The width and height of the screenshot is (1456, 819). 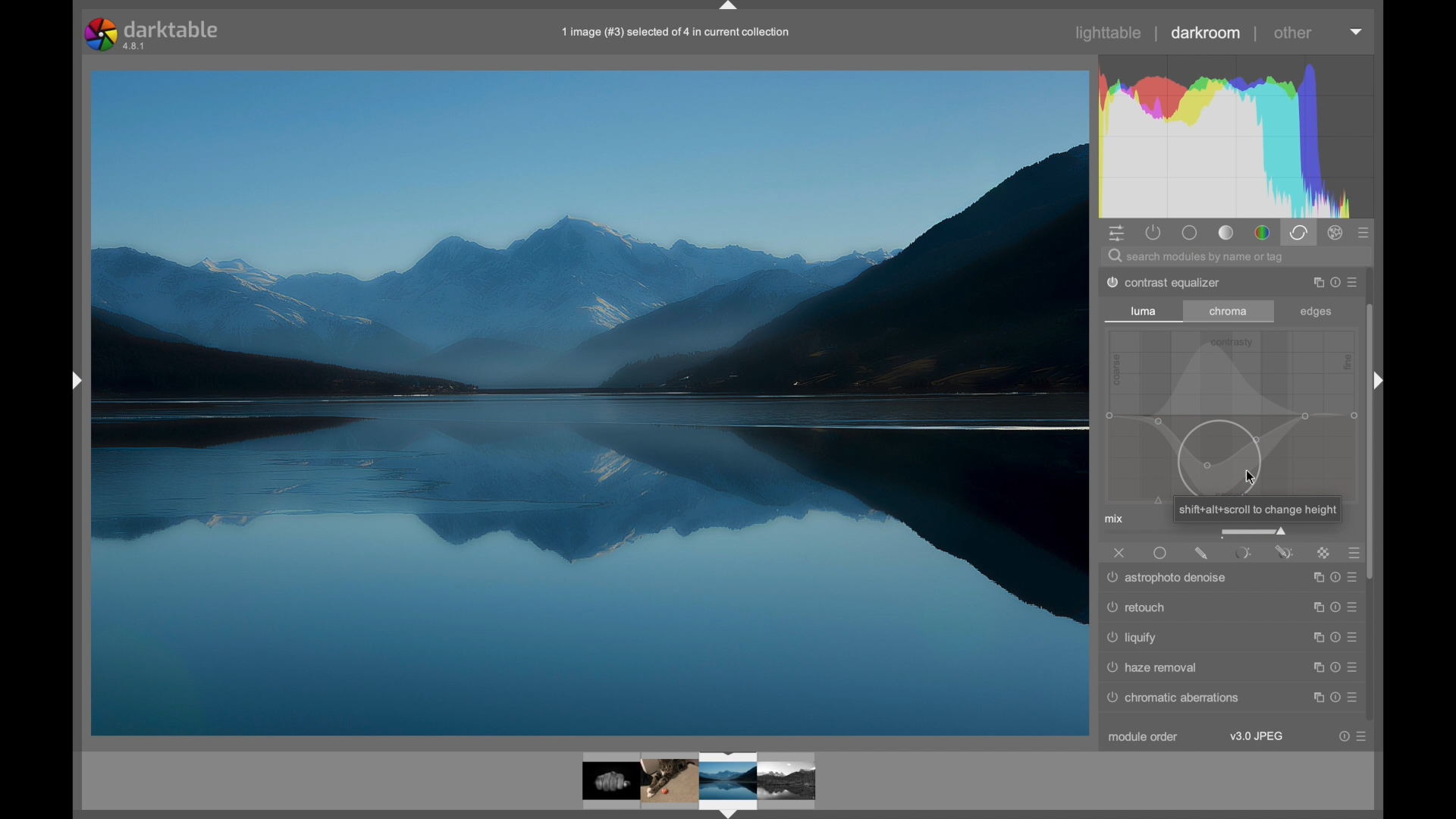 I want to click on cursor, so click(x=1252, y=478).